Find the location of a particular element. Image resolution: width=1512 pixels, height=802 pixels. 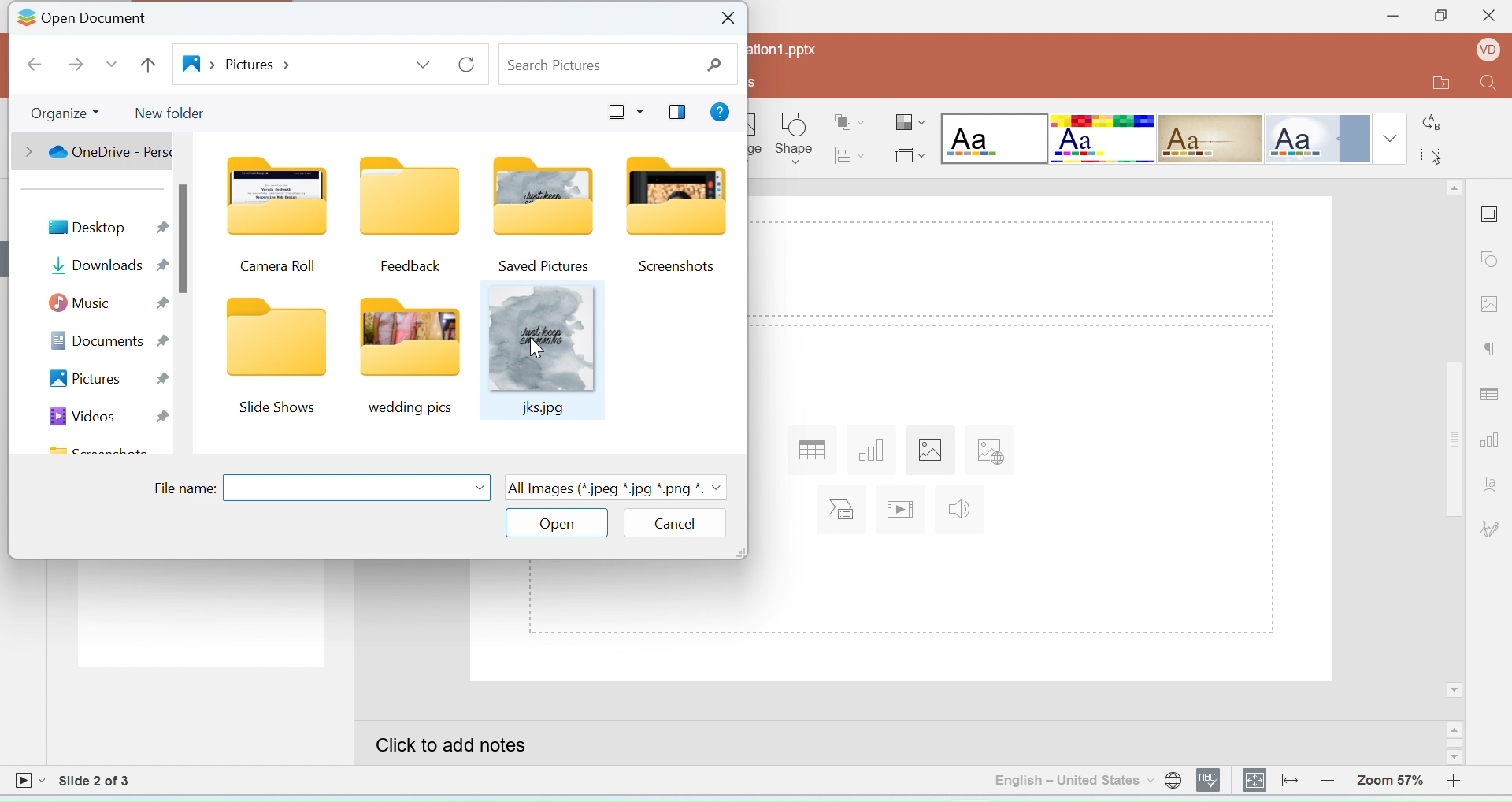

Spell checking is located at coordinates (1210, 780).